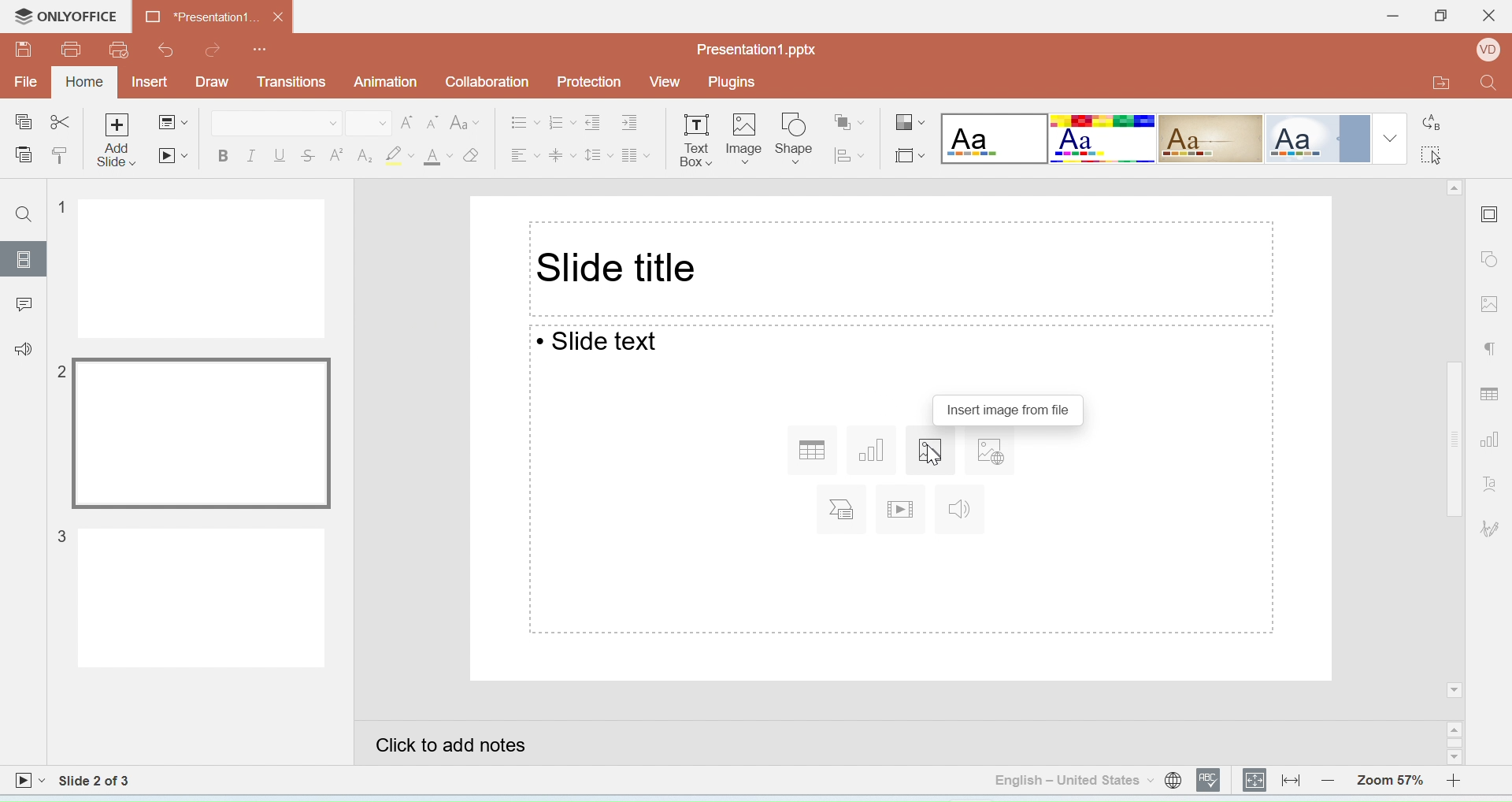 The width and height of the screenshot is (1512, 802). I want to click on Insert, so click(153, 83).